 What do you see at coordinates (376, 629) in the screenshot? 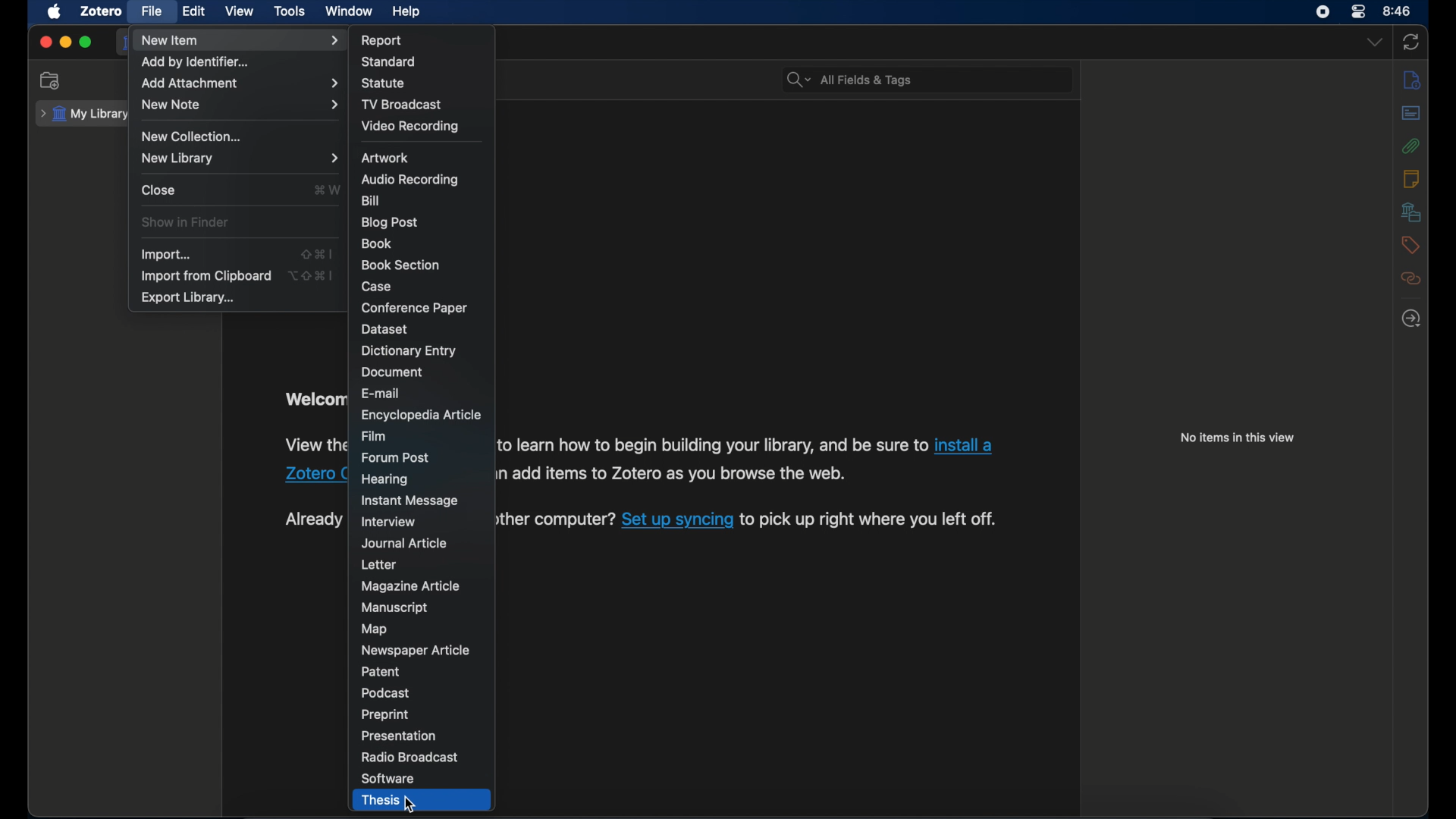
I see `map` at bounding box center [376, 629].